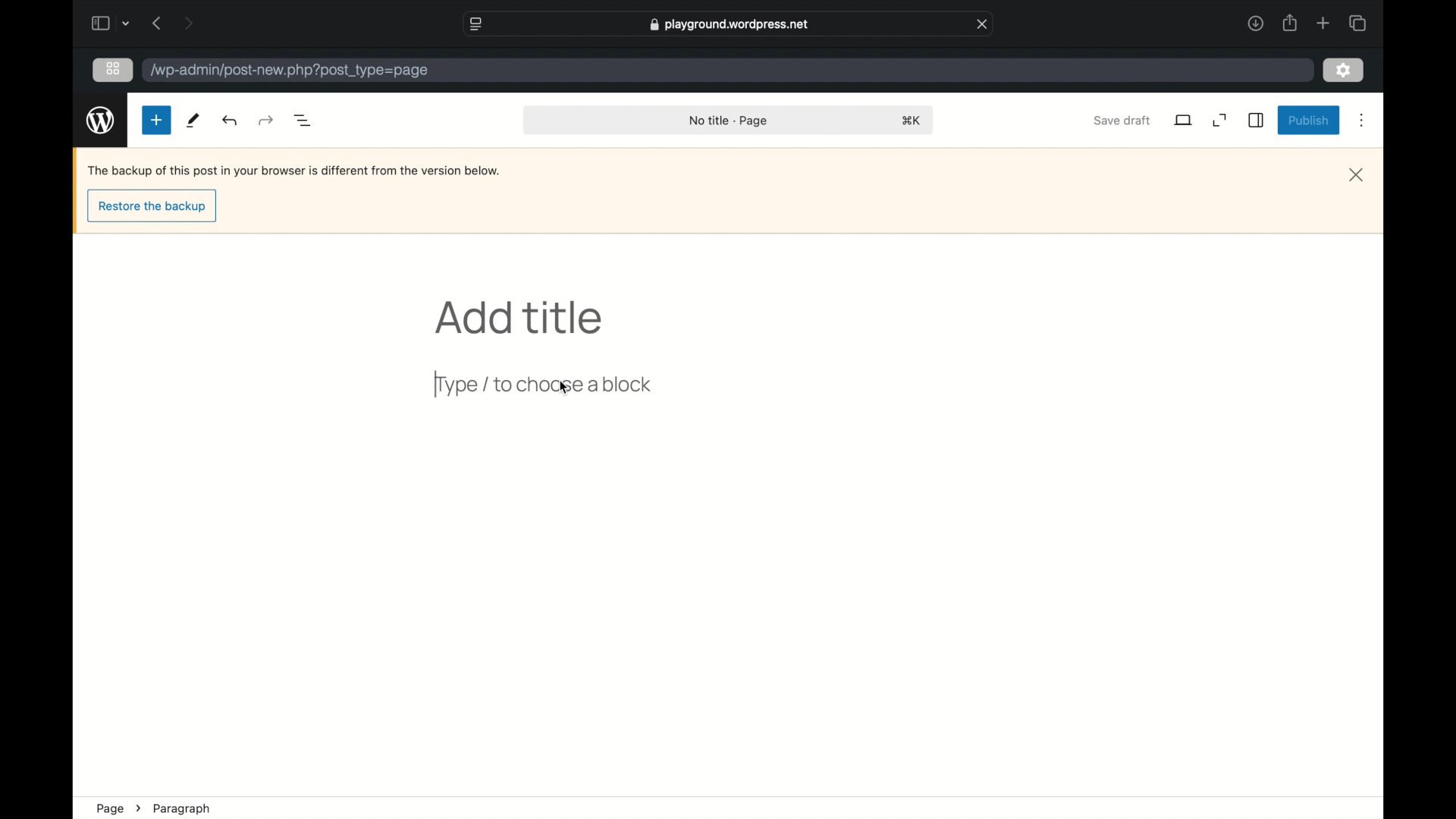  I want to click on no title page, so click(730, 120).